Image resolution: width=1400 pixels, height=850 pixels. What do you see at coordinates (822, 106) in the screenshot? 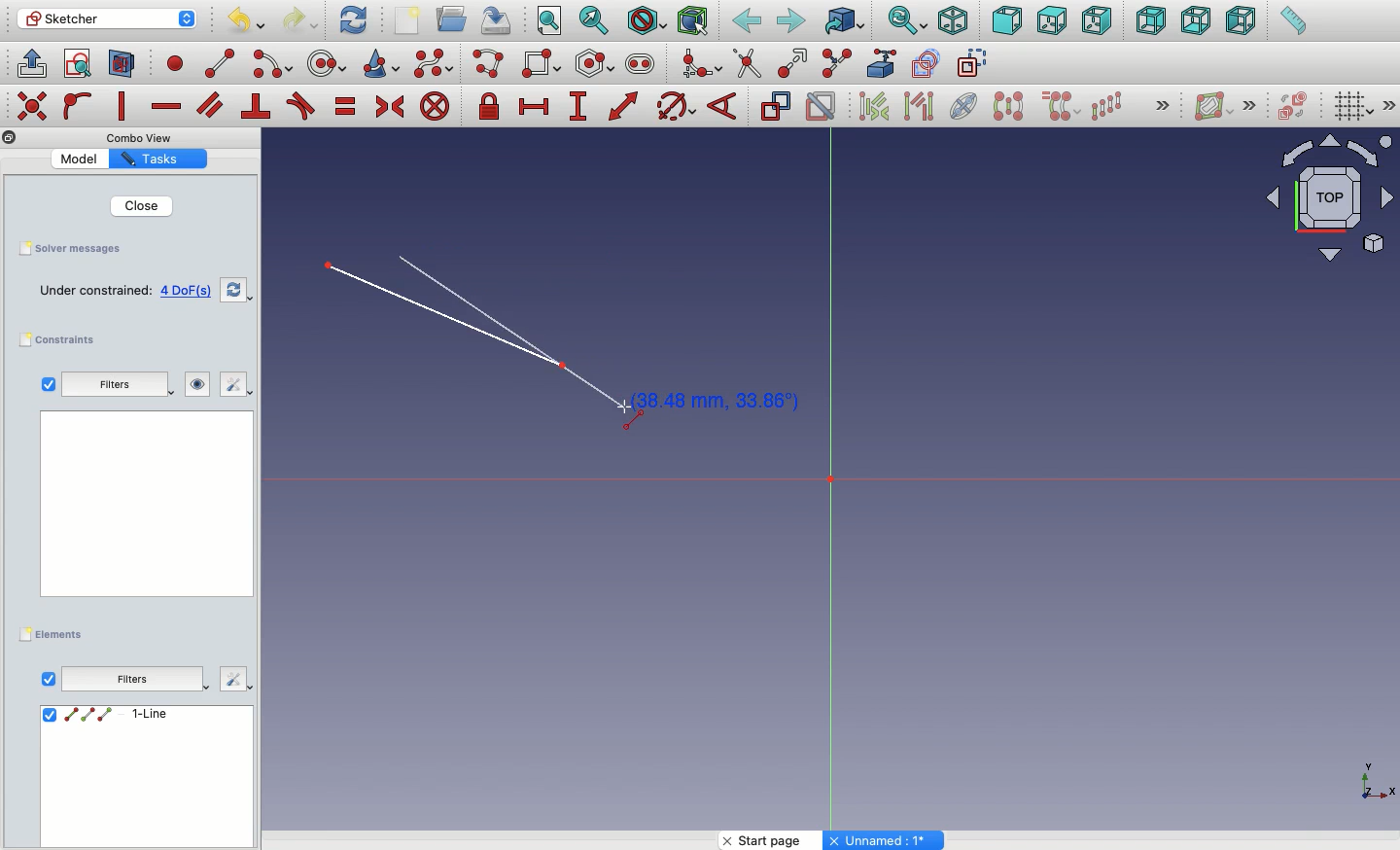
I see `Activate/deactivate constraint` at bounding box center [822, 106].